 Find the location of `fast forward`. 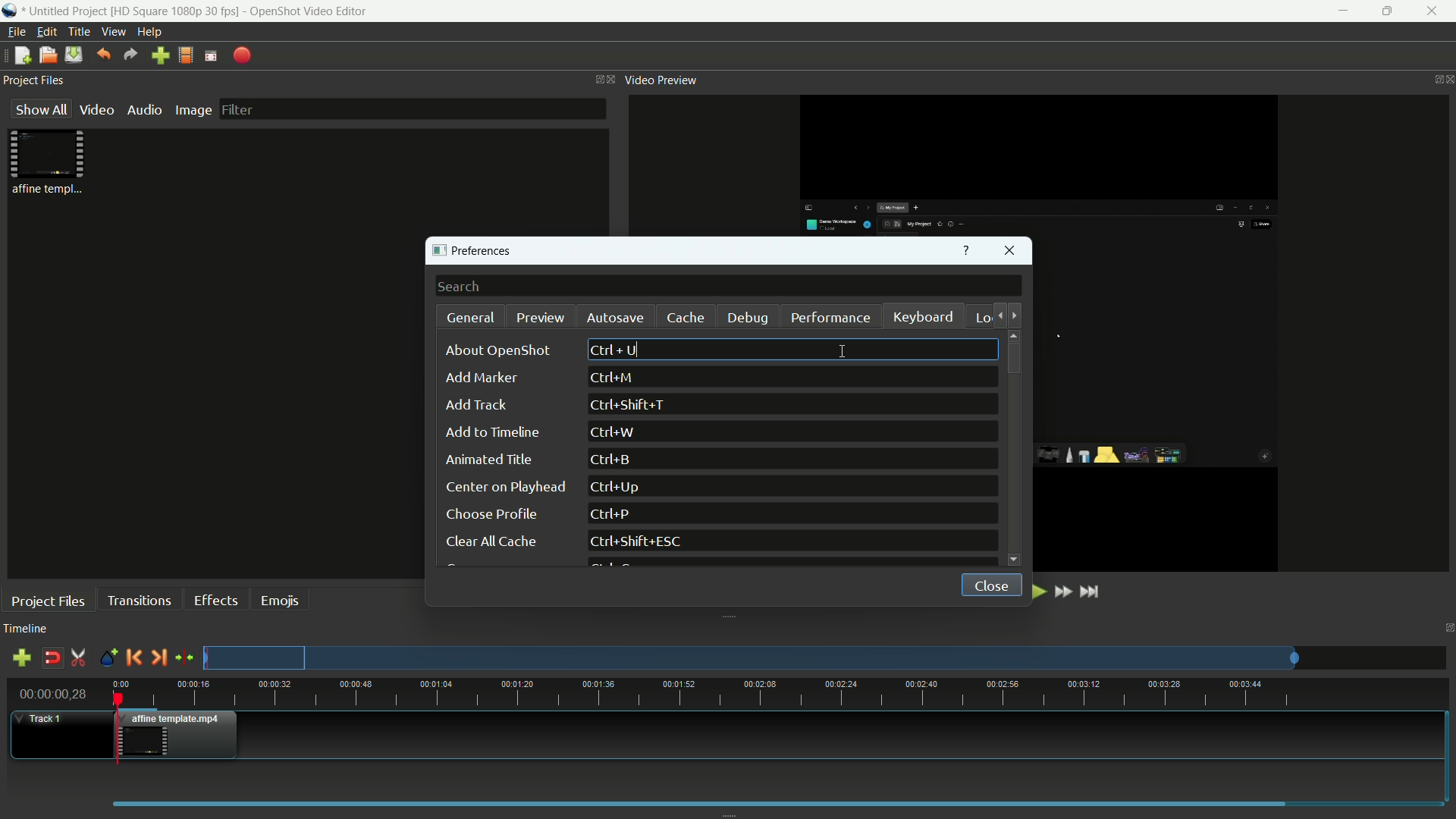

fast forward is located at coordinates (1065, 592).